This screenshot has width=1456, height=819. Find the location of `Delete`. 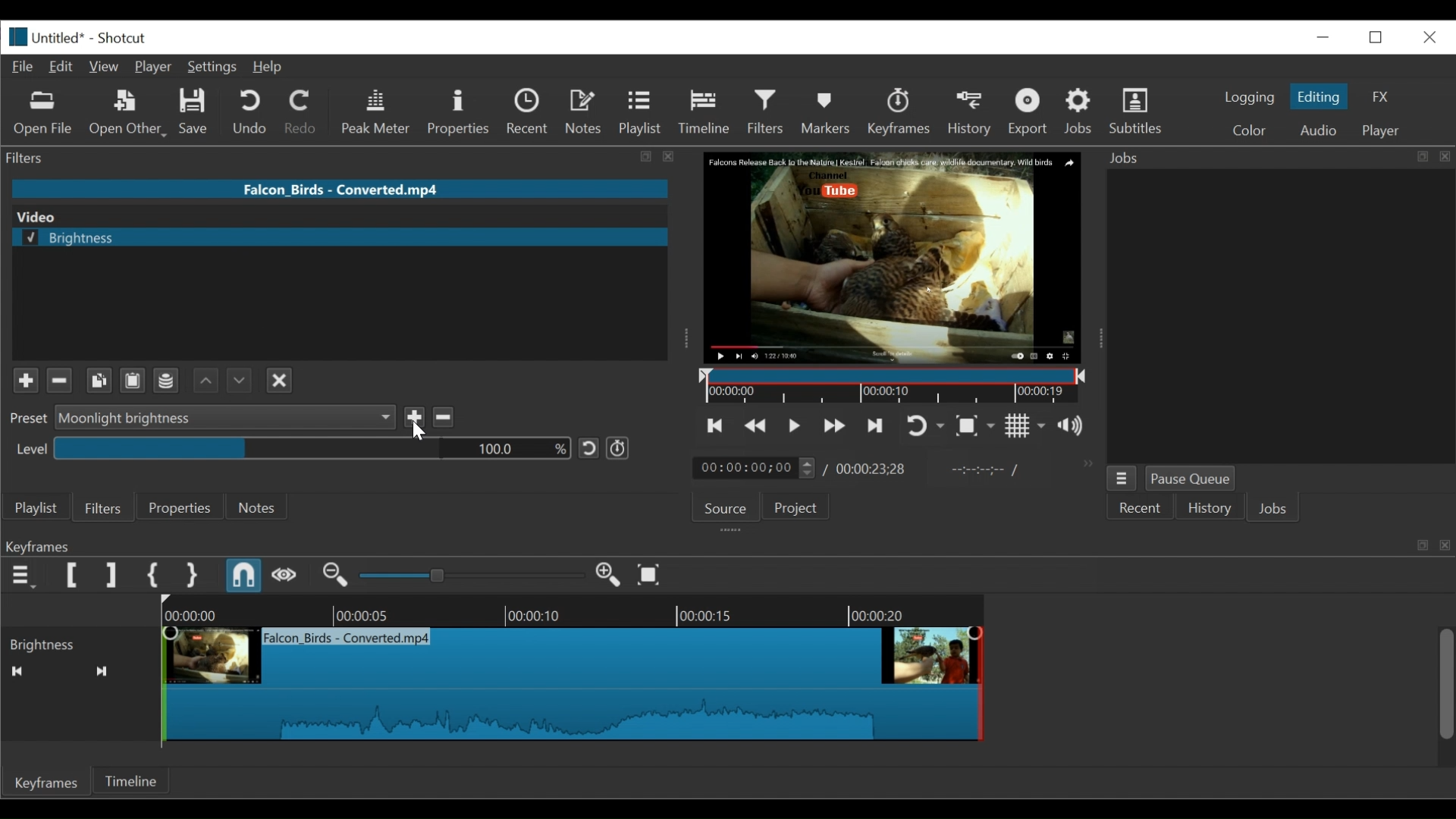

Delete is located at coordinates (444, 417).